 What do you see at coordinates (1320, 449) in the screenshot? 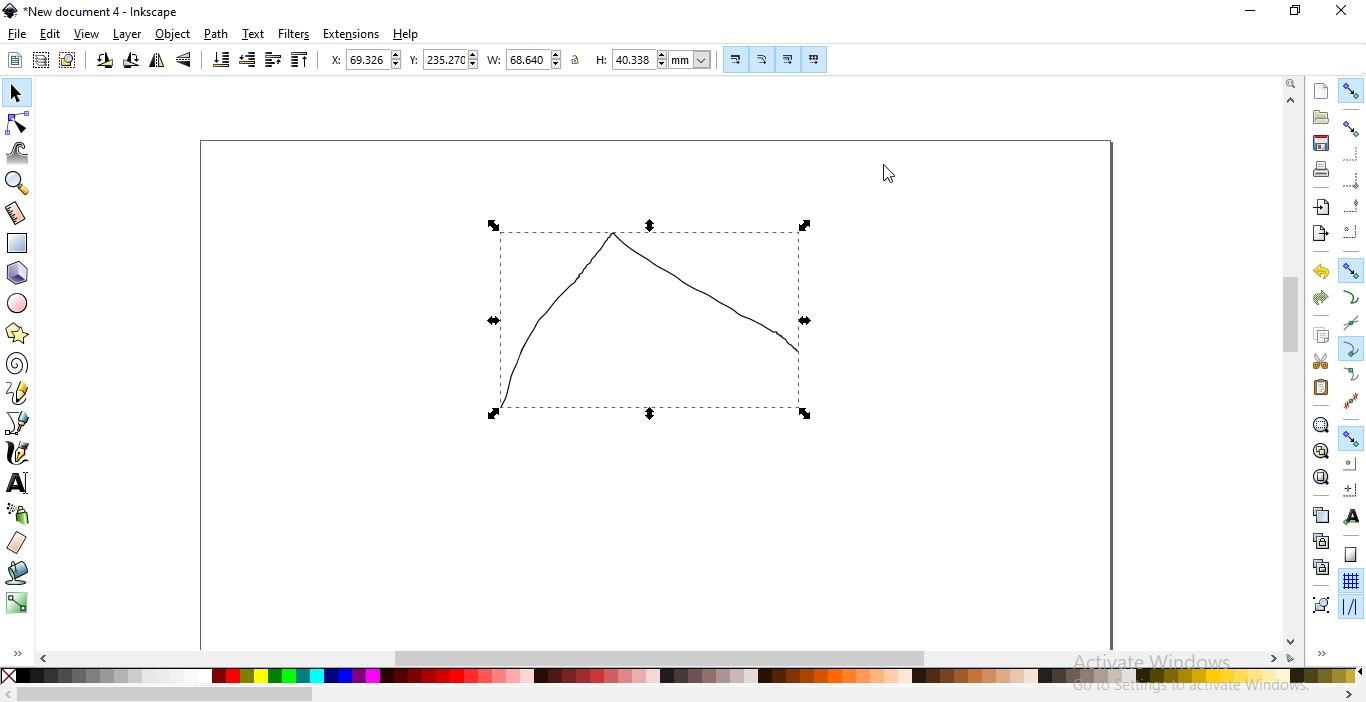
I see `zoom to fit drawing` at bounding box center [1320, 449].